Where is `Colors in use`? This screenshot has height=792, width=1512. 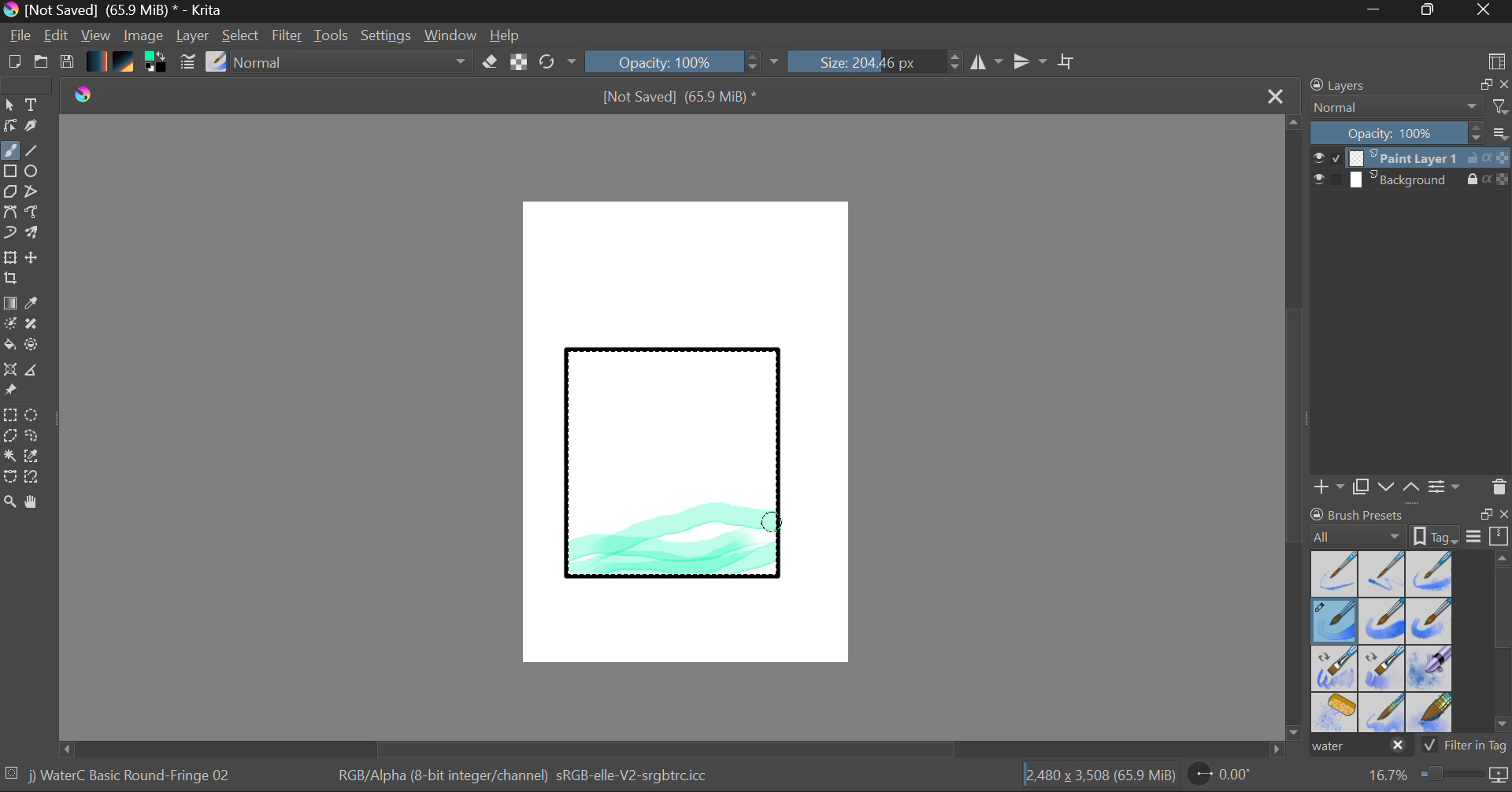 Colors in use is located at coordinates (157, 63).